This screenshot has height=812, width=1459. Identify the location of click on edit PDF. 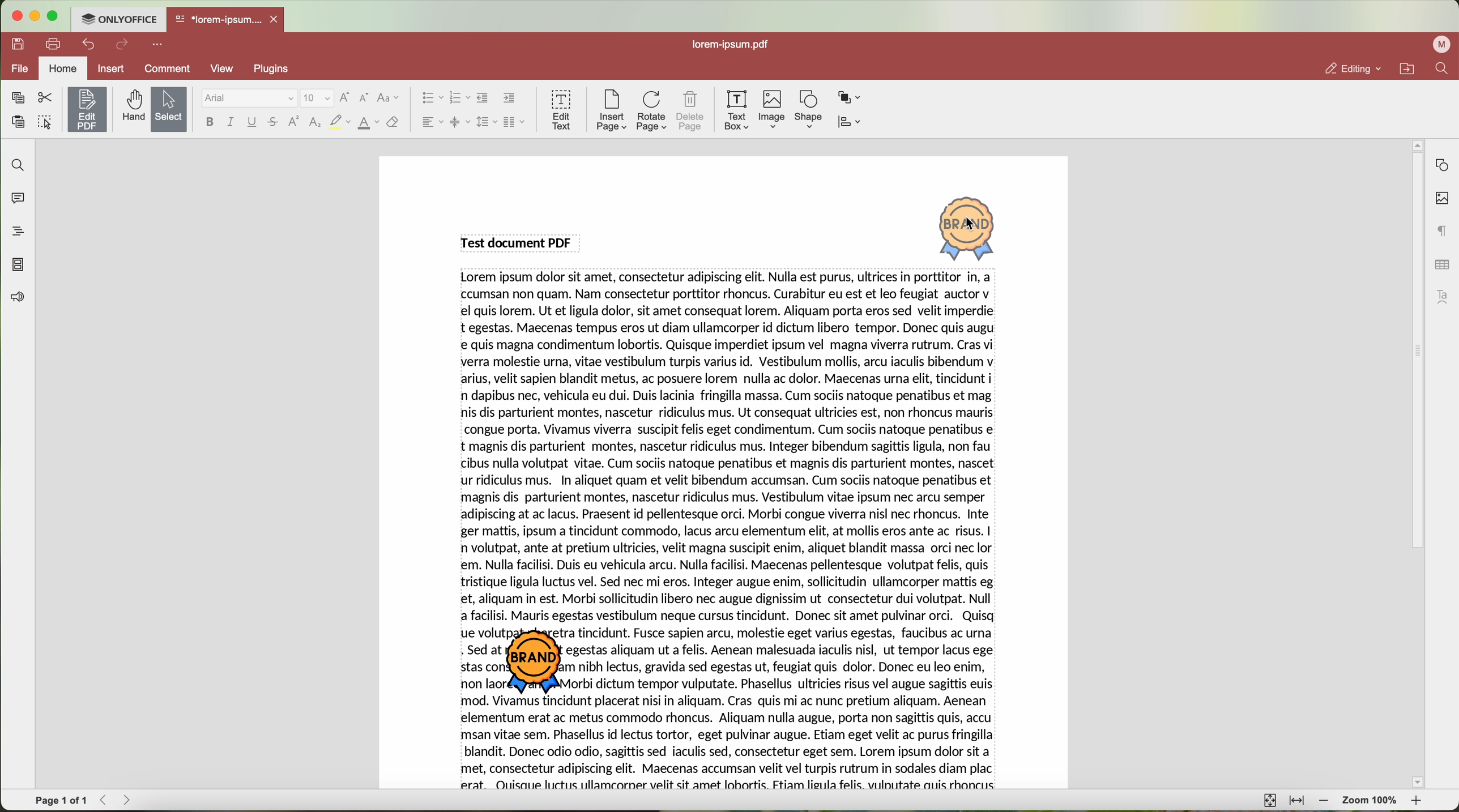
(88, 111).